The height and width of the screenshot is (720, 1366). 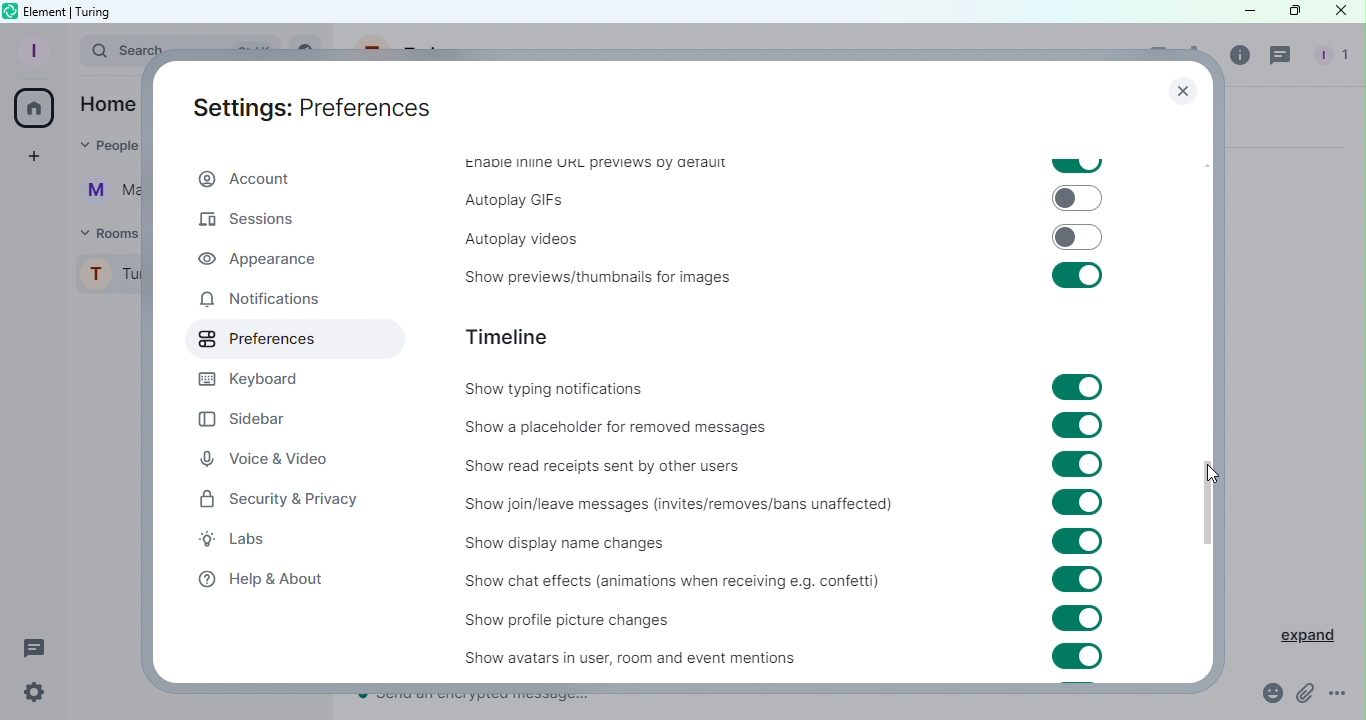 I want to click on Toggle, so click(x=1074, y=238).